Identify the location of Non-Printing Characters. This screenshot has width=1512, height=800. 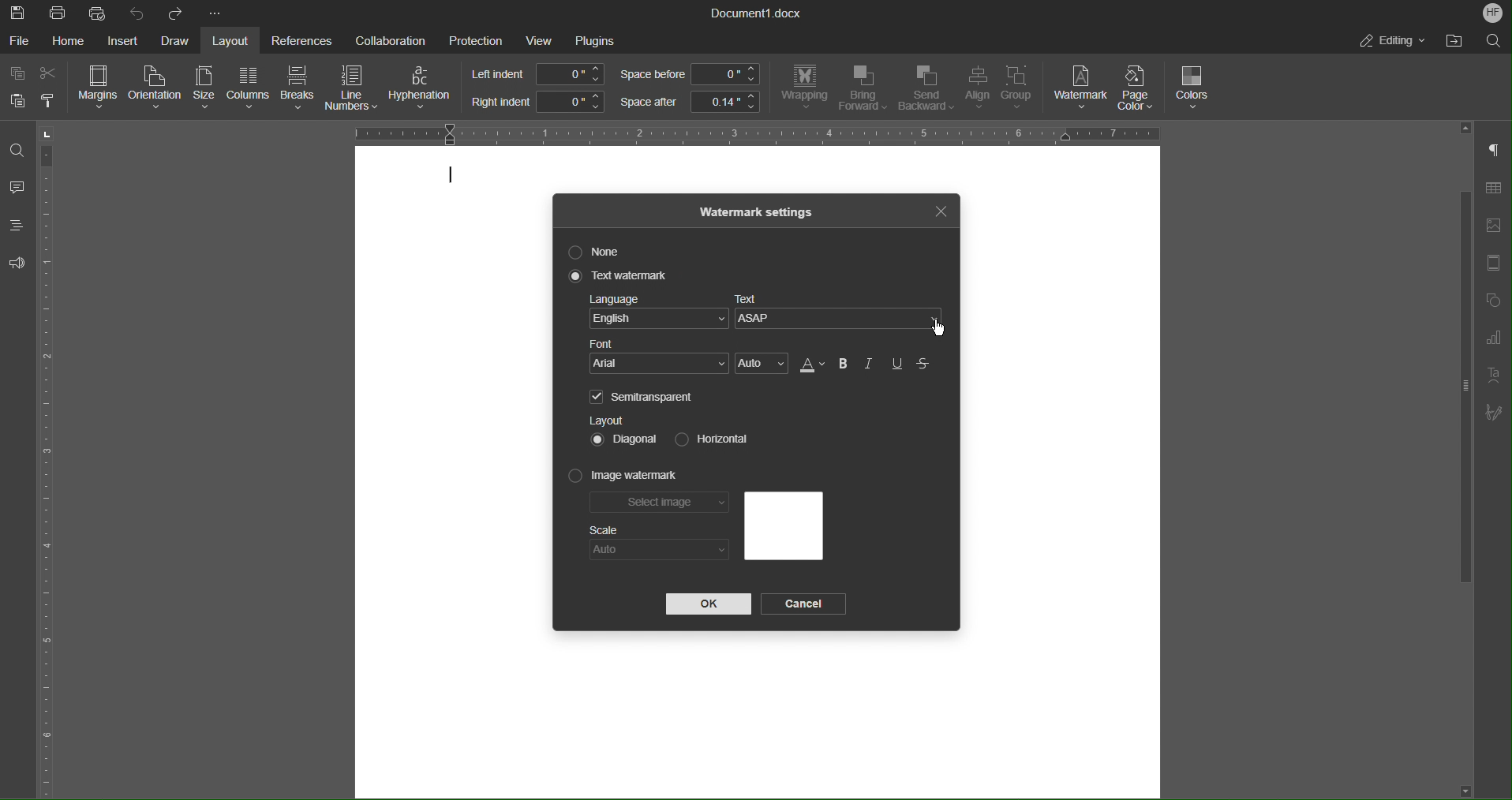
(1495, 151).